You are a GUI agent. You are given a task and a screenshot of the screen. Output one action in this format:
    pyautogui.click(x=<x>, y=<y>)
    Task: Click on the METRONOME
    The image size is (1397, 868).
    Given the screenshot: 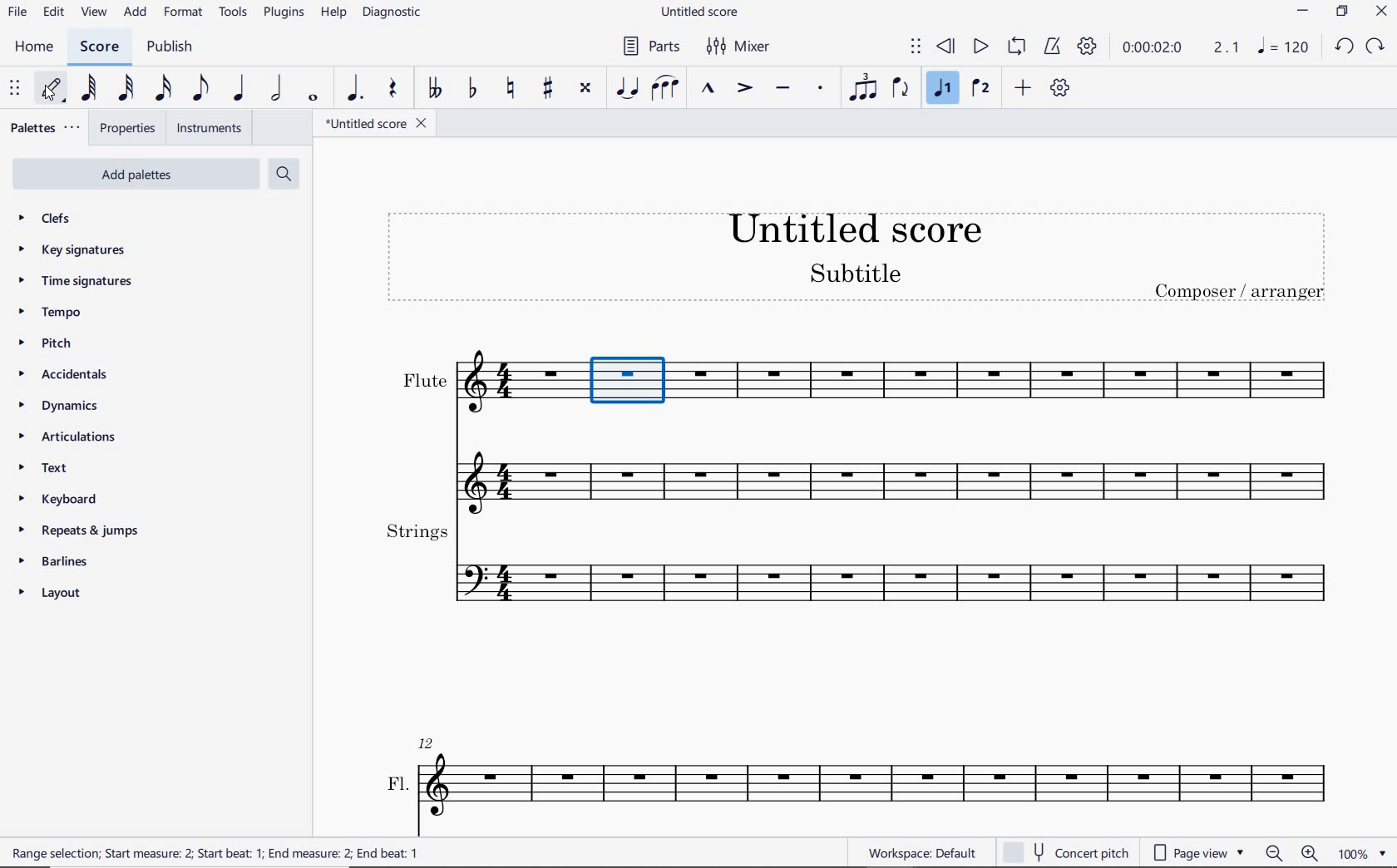 What is the action you would take?
    pyautogui.click(x=1055, y=48)
    